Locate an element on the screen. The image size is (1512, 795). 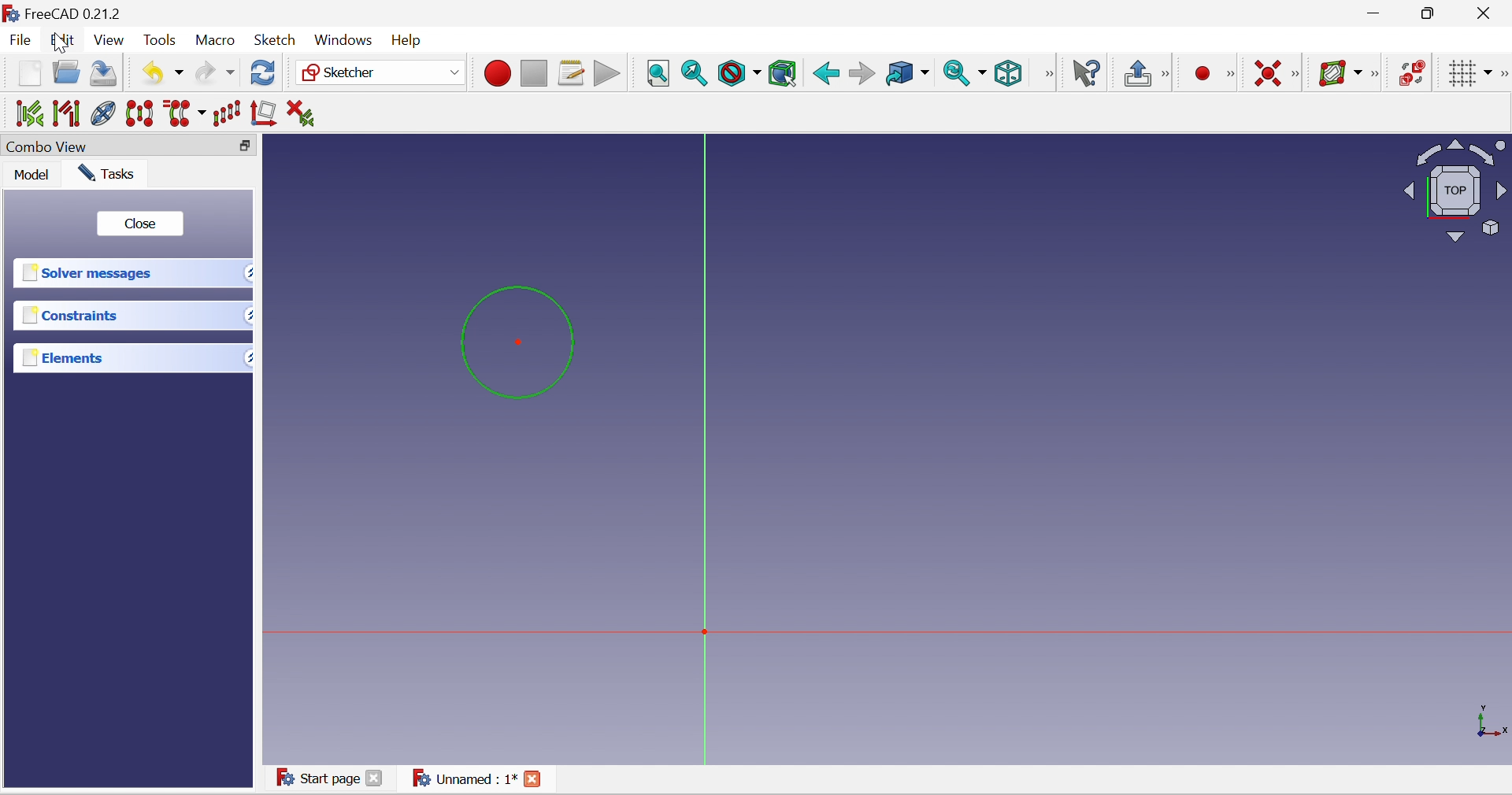
[Sketcher edit tools] is located at coordinates (1503, 74).